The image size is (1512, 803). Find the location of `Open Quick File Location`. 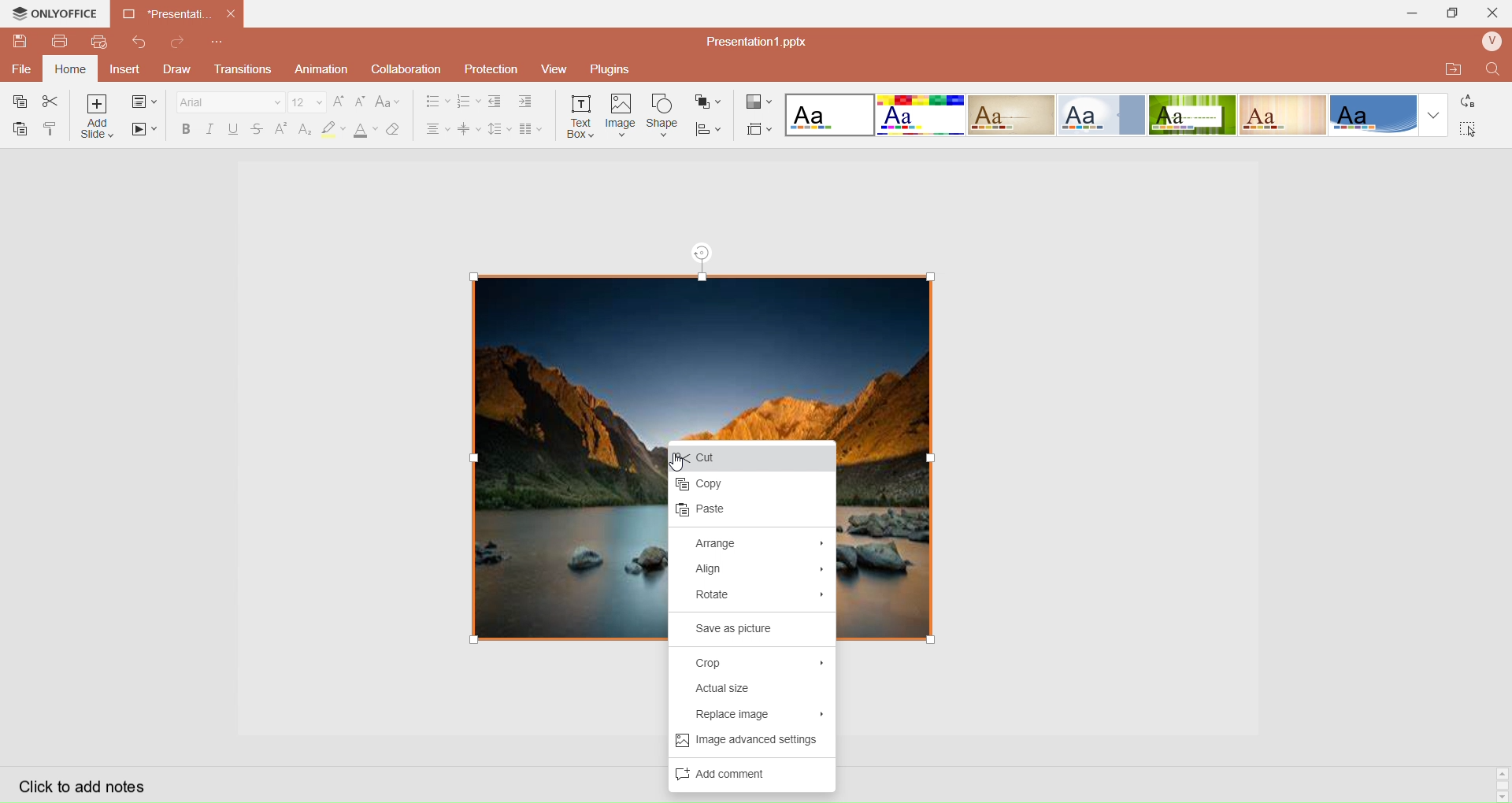

Open Quick File Location is located at coordinates (1454, 69).